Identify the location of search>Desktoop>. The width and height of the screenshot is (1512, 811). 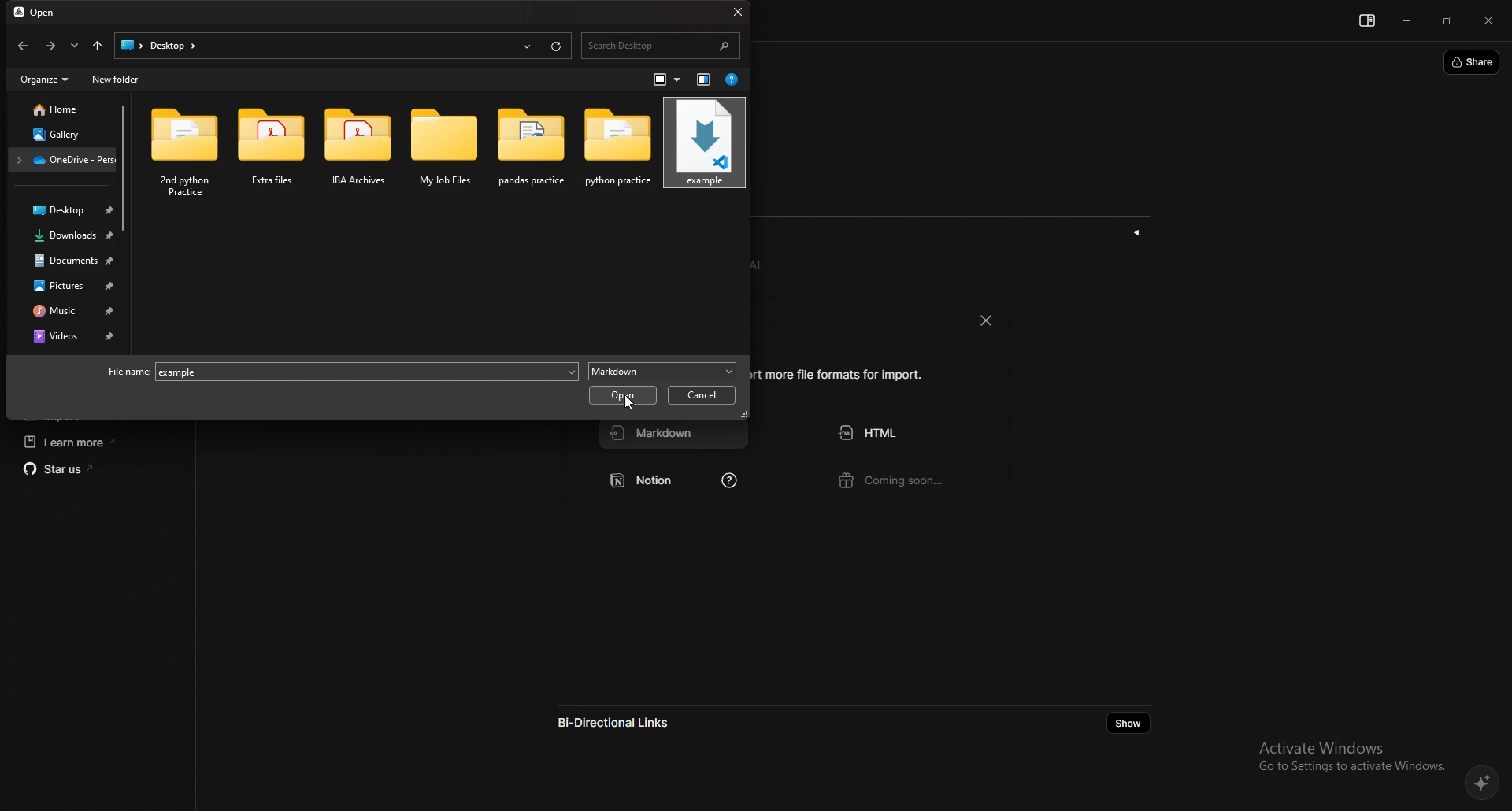
(168, 46).